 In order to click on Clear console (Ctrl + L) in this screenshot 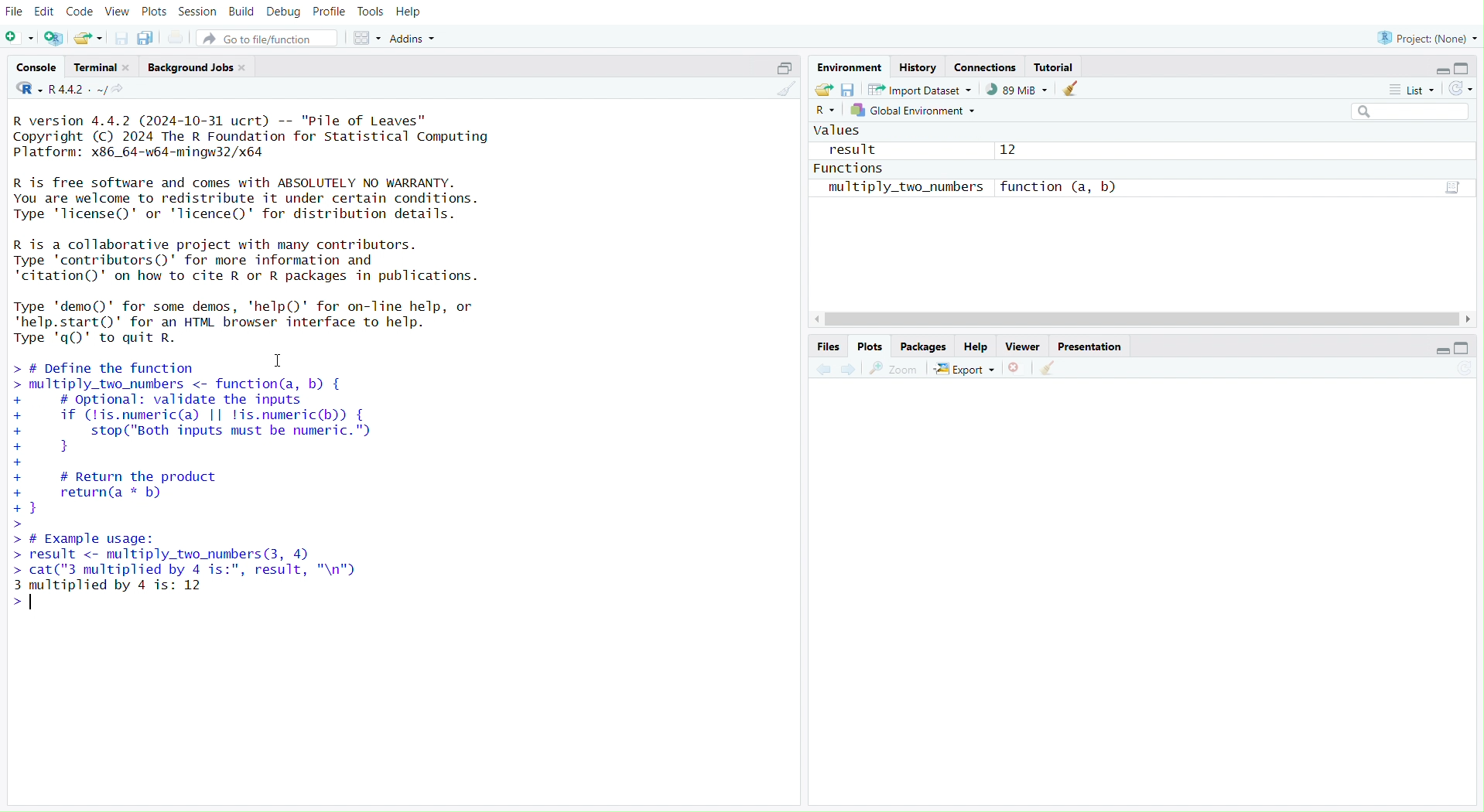, I will do `click(783, 90)`.